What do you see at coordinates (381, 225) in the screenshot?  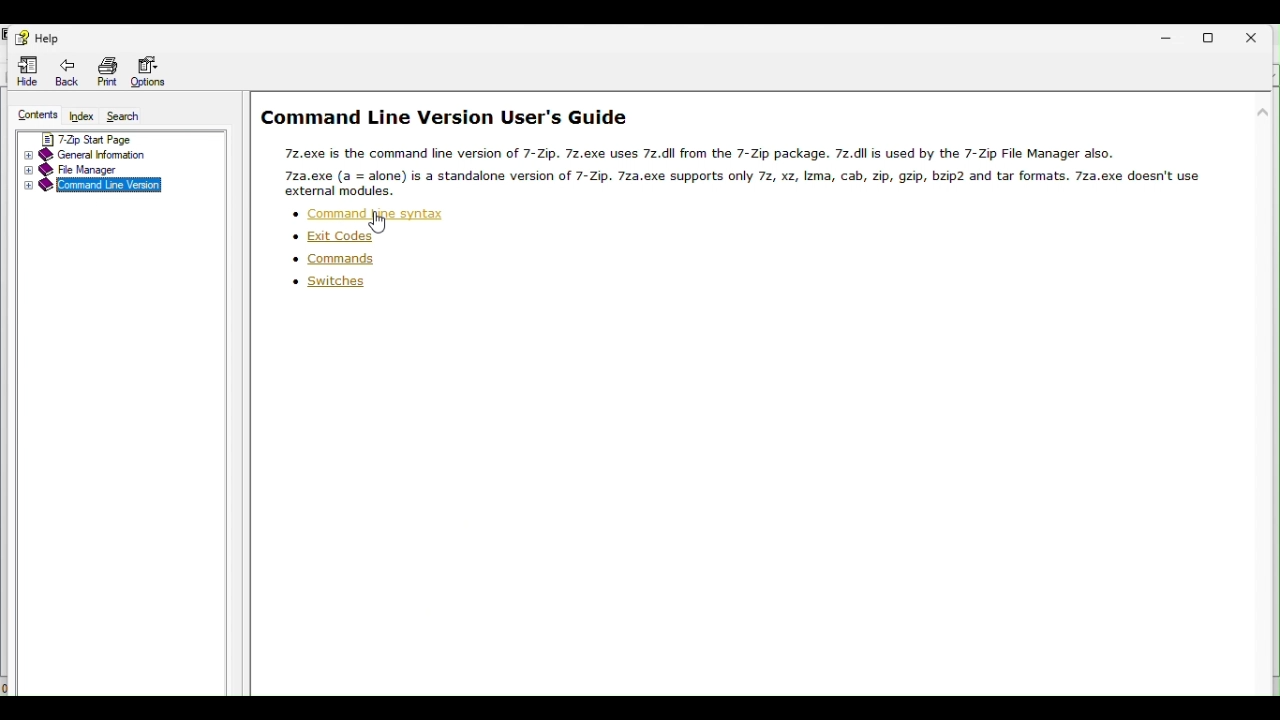 I see `cursor` at bounding box center [381, 225].